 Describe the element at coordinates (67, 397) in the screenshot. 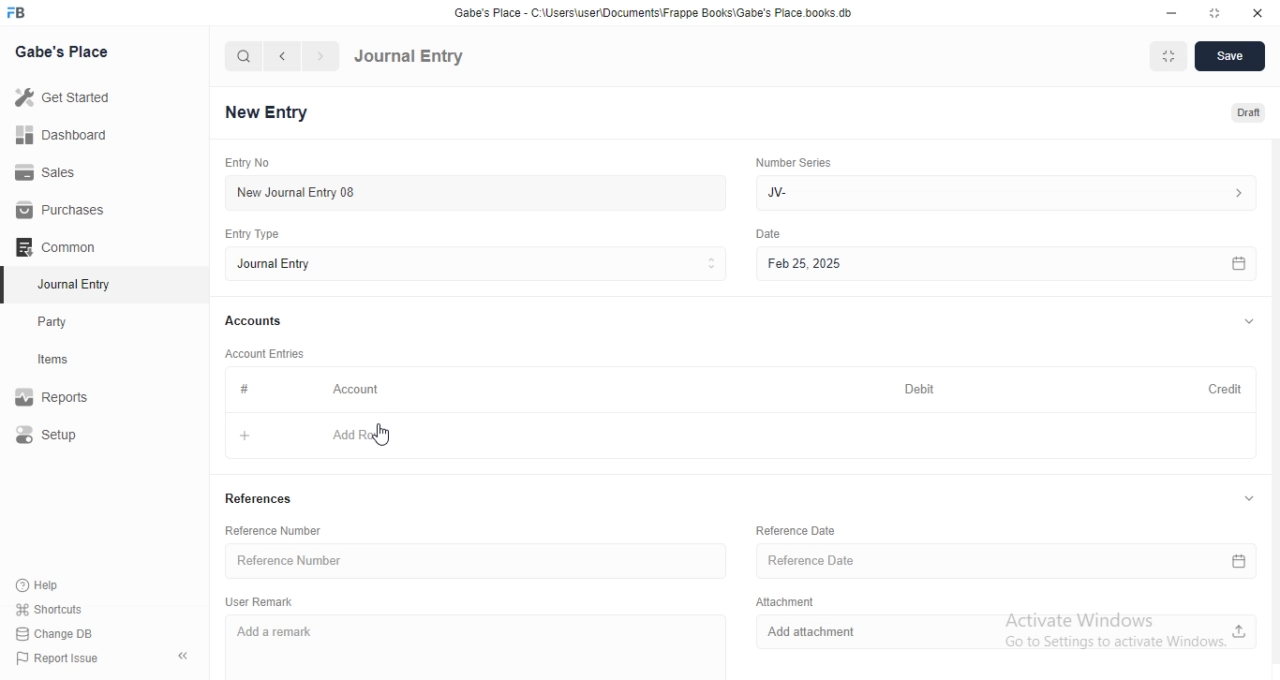

I see `Report` at that location.